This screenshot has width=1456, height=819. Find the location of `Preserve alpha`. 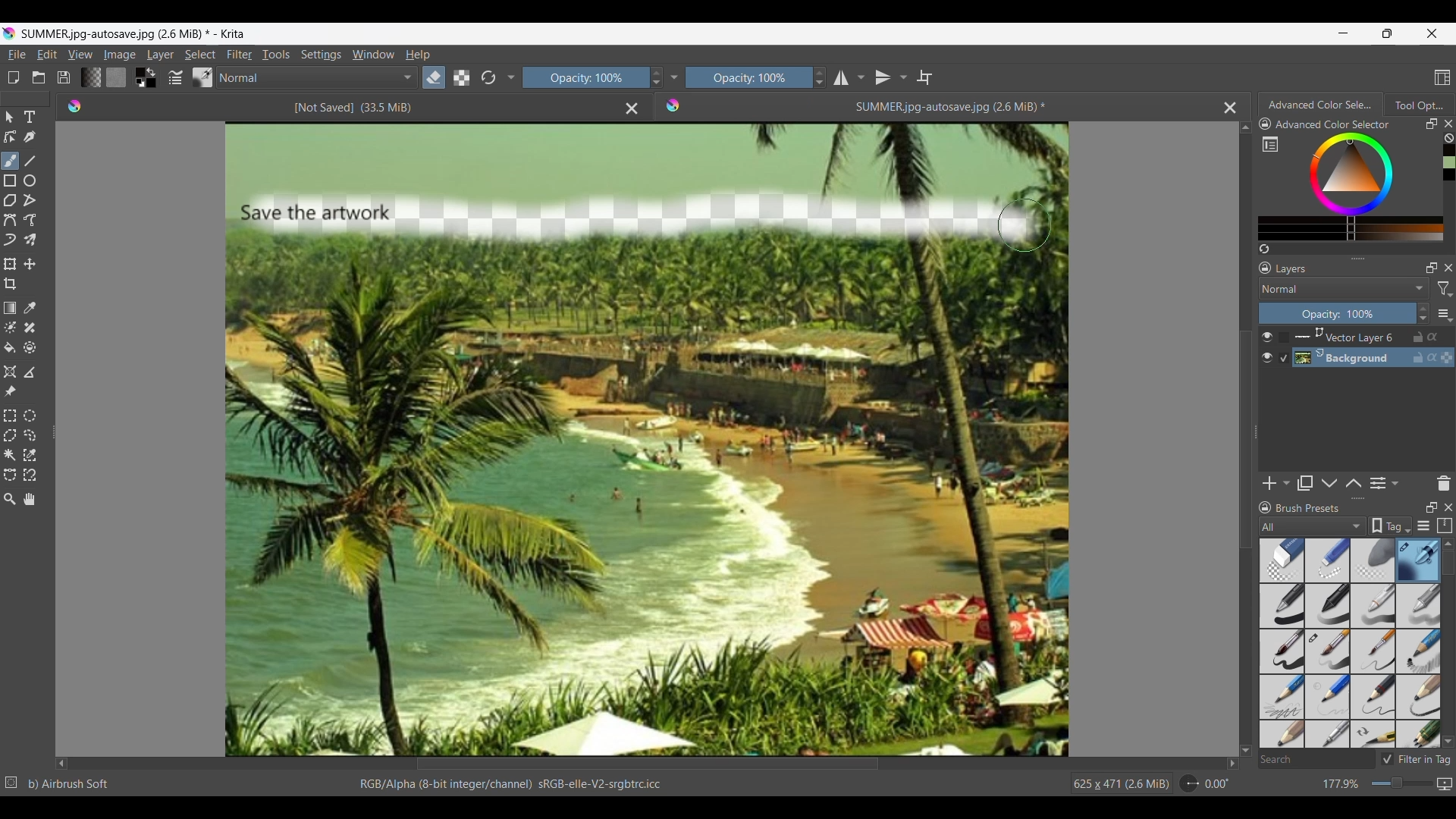

Preserve alpha is located at coordinates (462, 77).